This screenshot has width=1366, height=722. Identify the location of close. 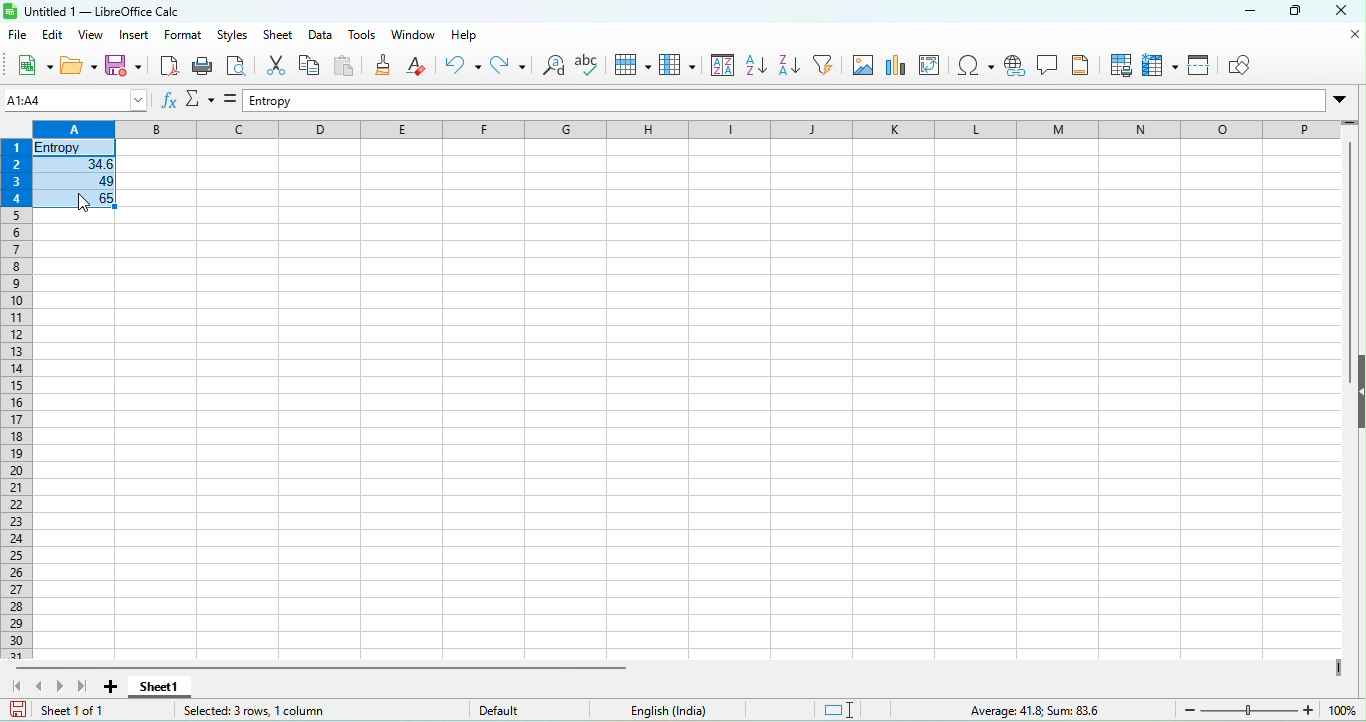
(1346, 12).